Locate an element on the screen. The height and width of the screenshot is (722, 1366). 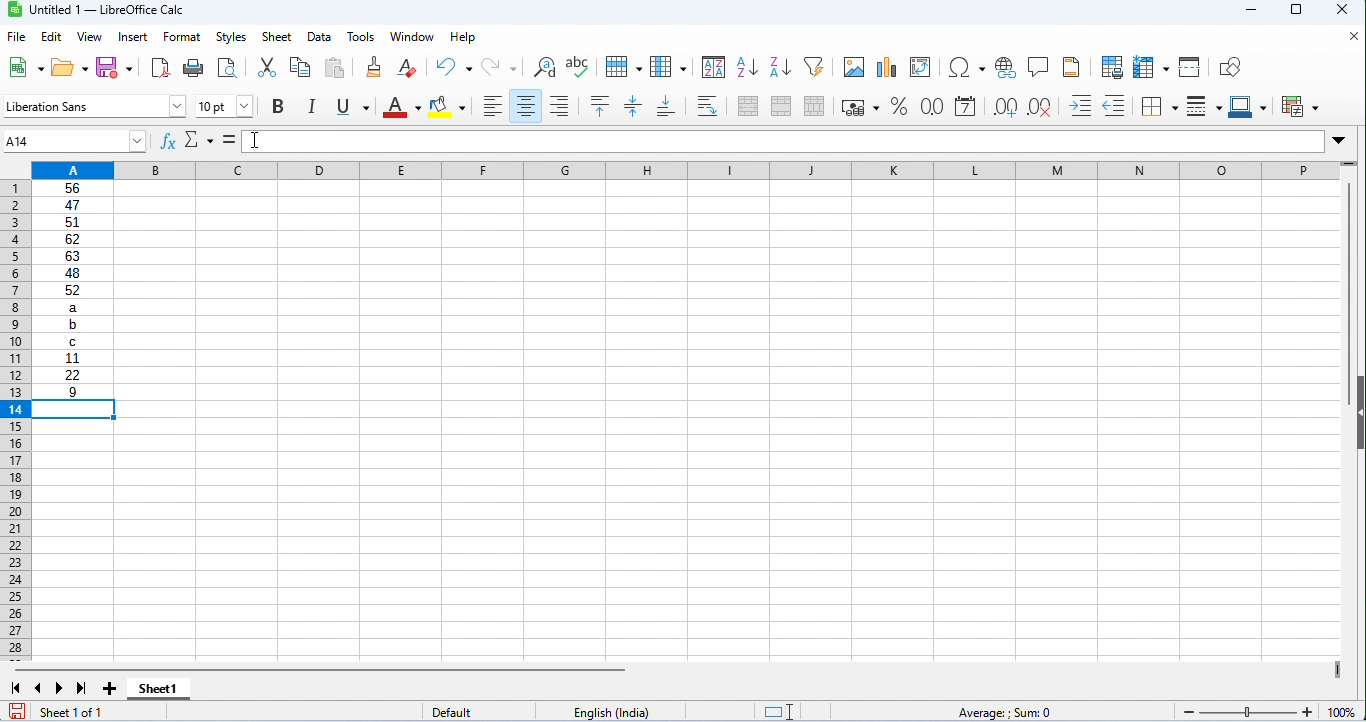
sort is located at coordinates (714, 67).